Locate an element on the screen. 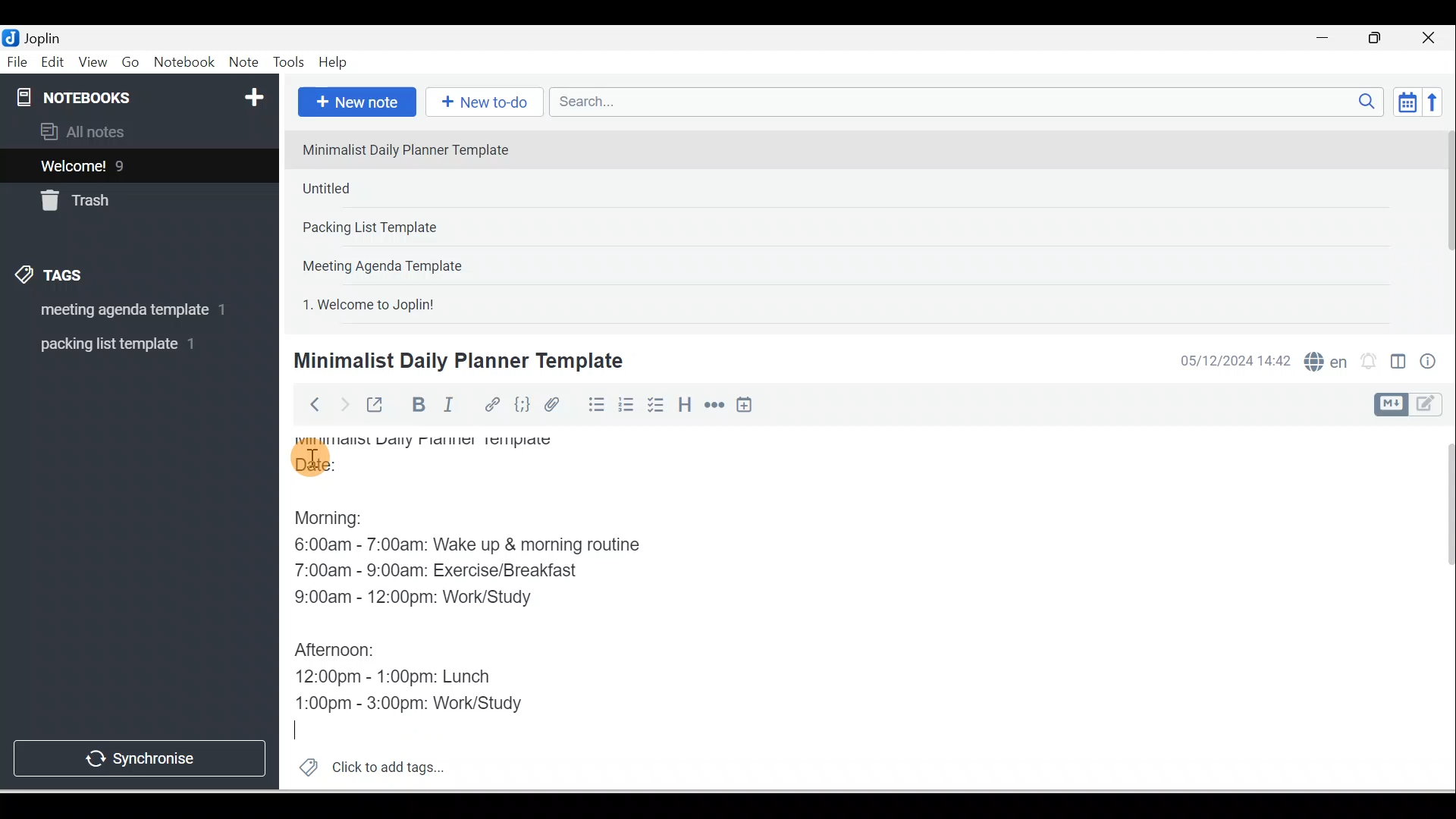 This screenshot has height=819, width=1456. Bold is located at coordinates (416, 405).